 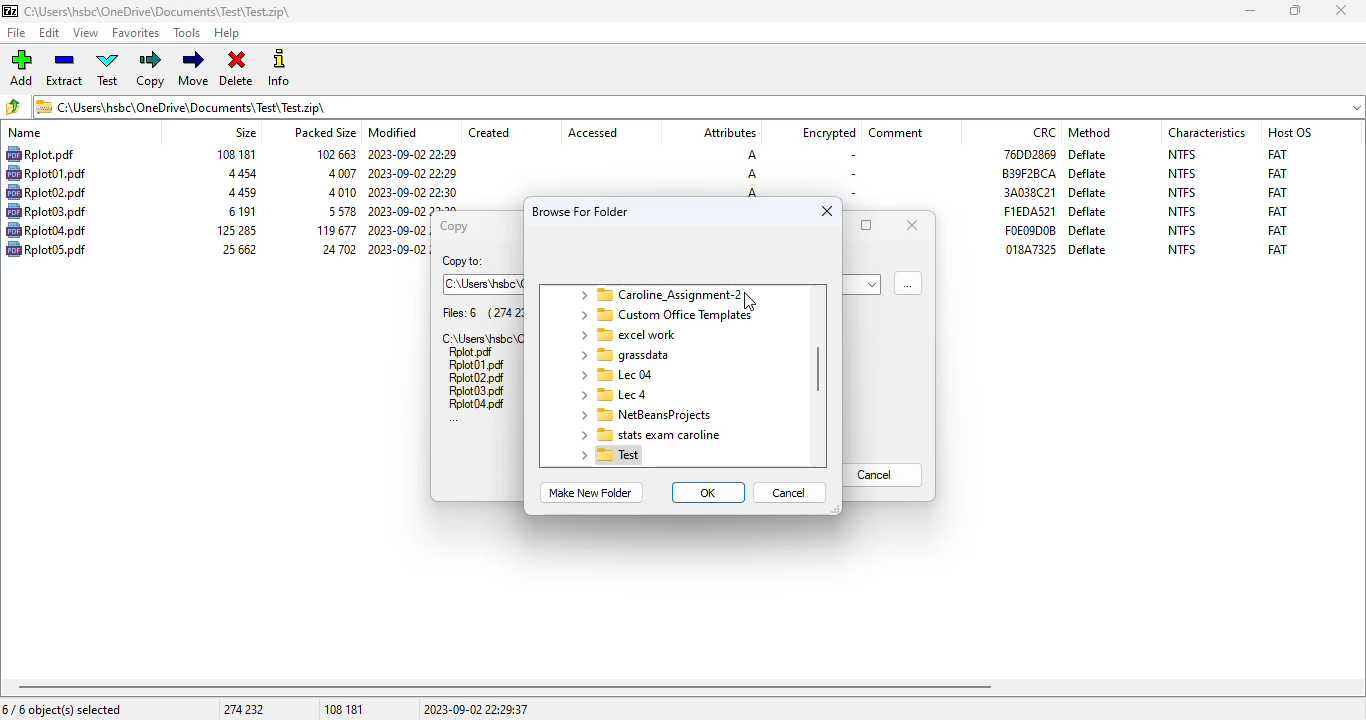 What do you see at coordinates (1029, 192) in the screenshot?
I see `CRC` at bounding box center [1029, 192].